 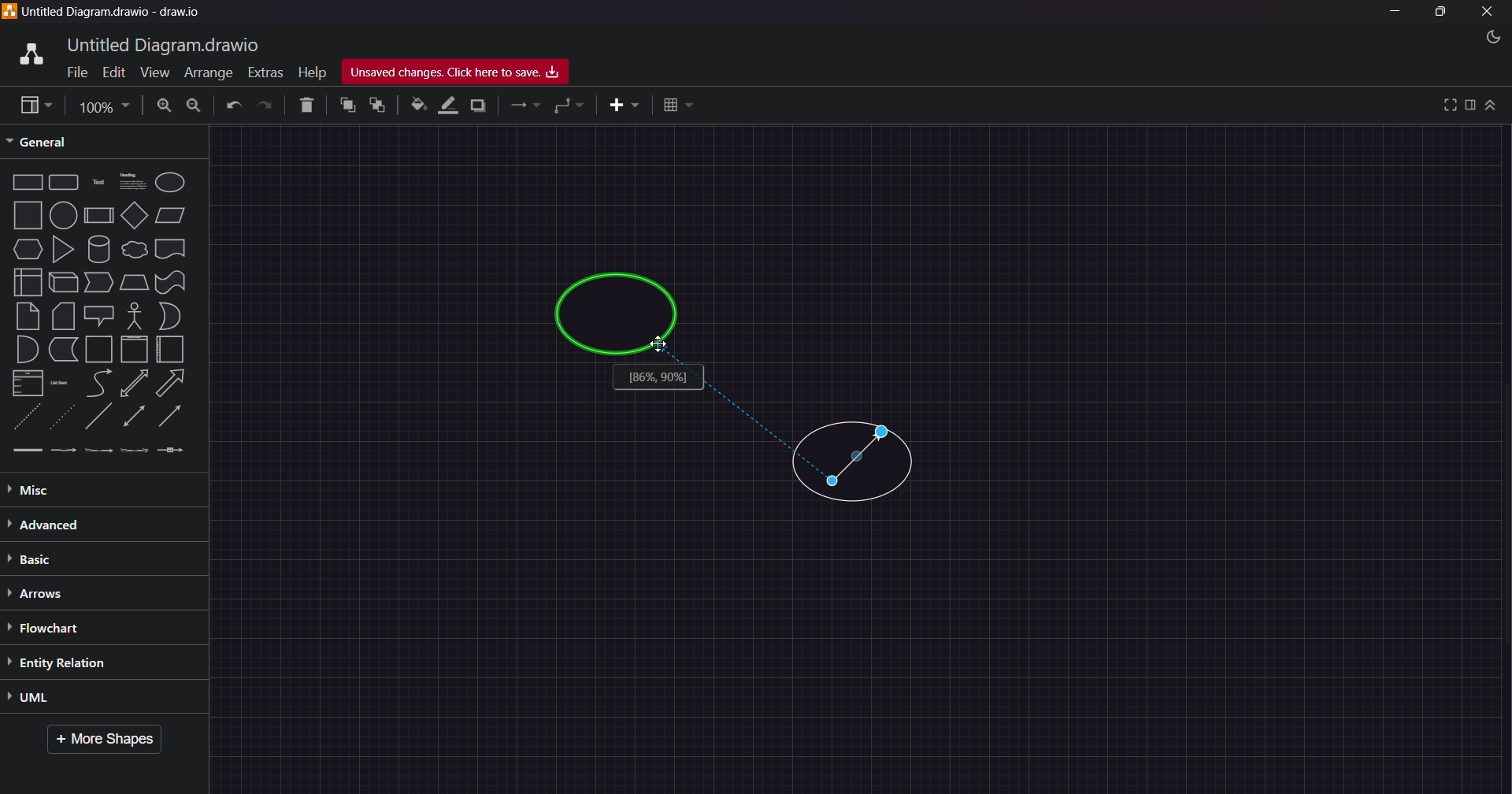 What do you see at coordinates (166, 43) in the screenshot?
I see `title` at bounding box center [166, 43].